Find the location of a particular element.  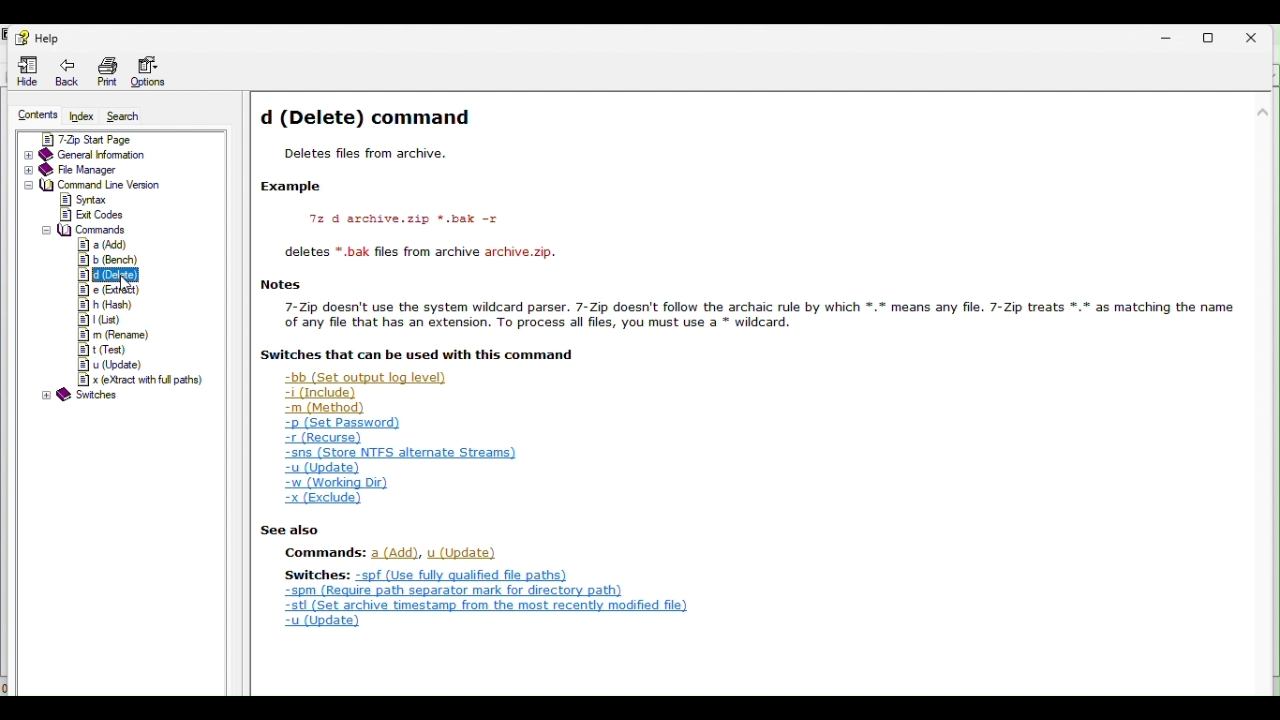

stl is located at coordinates (483, 604).